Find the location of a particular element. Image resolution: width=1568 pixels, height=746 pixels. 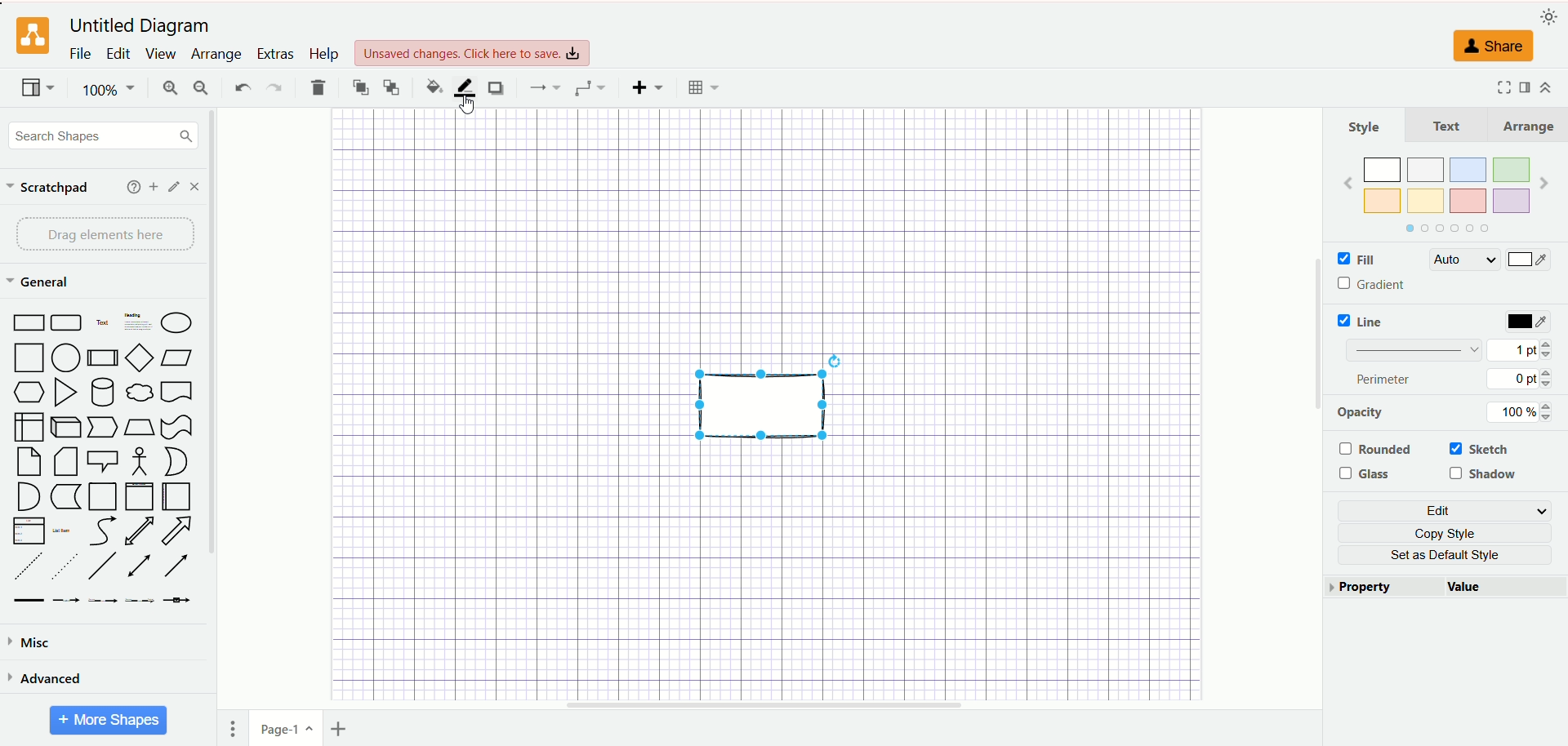

arrange is located at coordinates (212, 55).